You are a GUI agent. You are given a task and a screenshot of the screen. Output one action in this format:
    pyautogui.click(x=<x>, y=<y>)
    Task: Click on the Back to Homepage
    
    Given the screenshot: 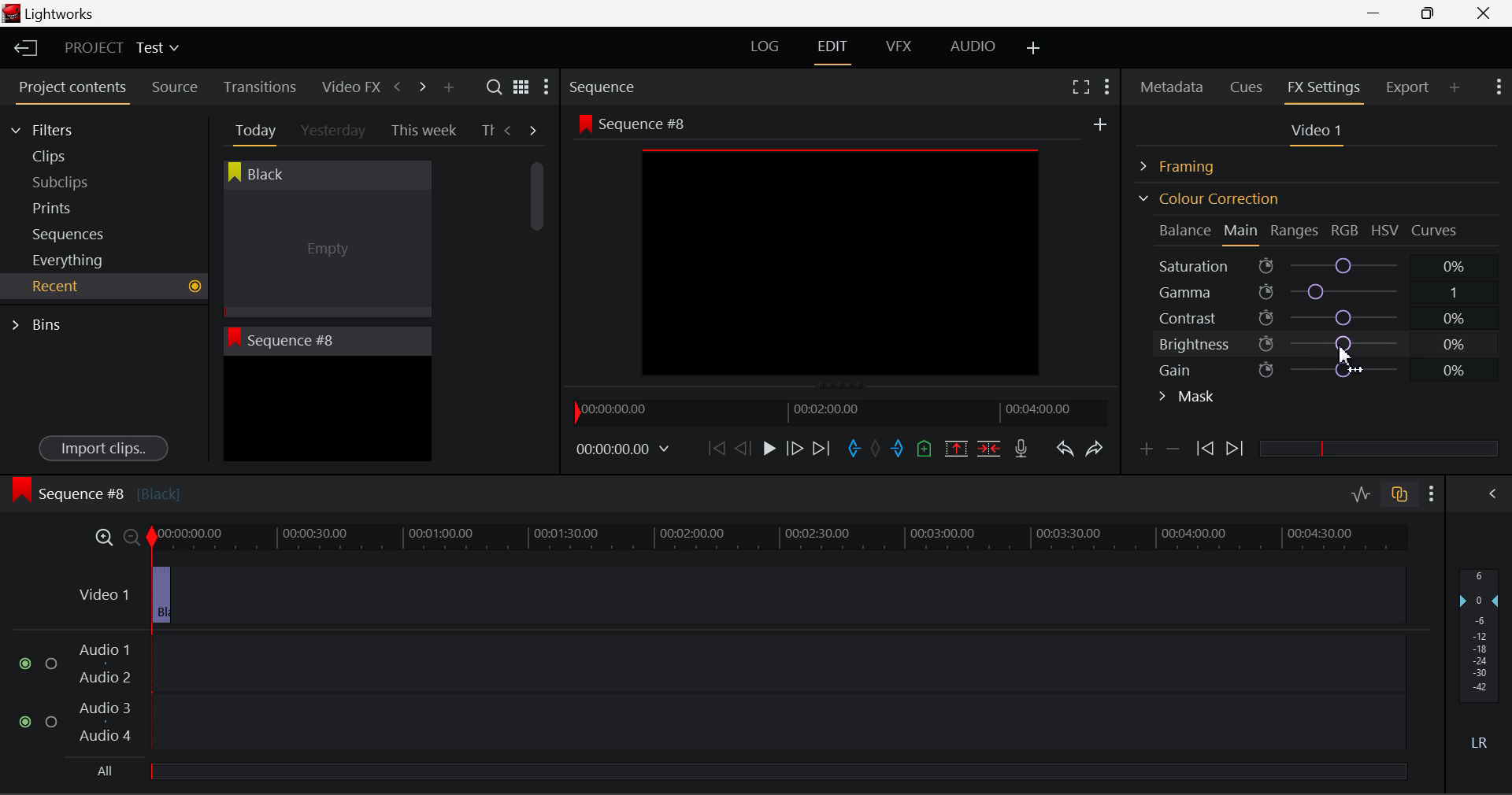 What is the action you would take?
    pyautogui.click(x=20, y=49)
    